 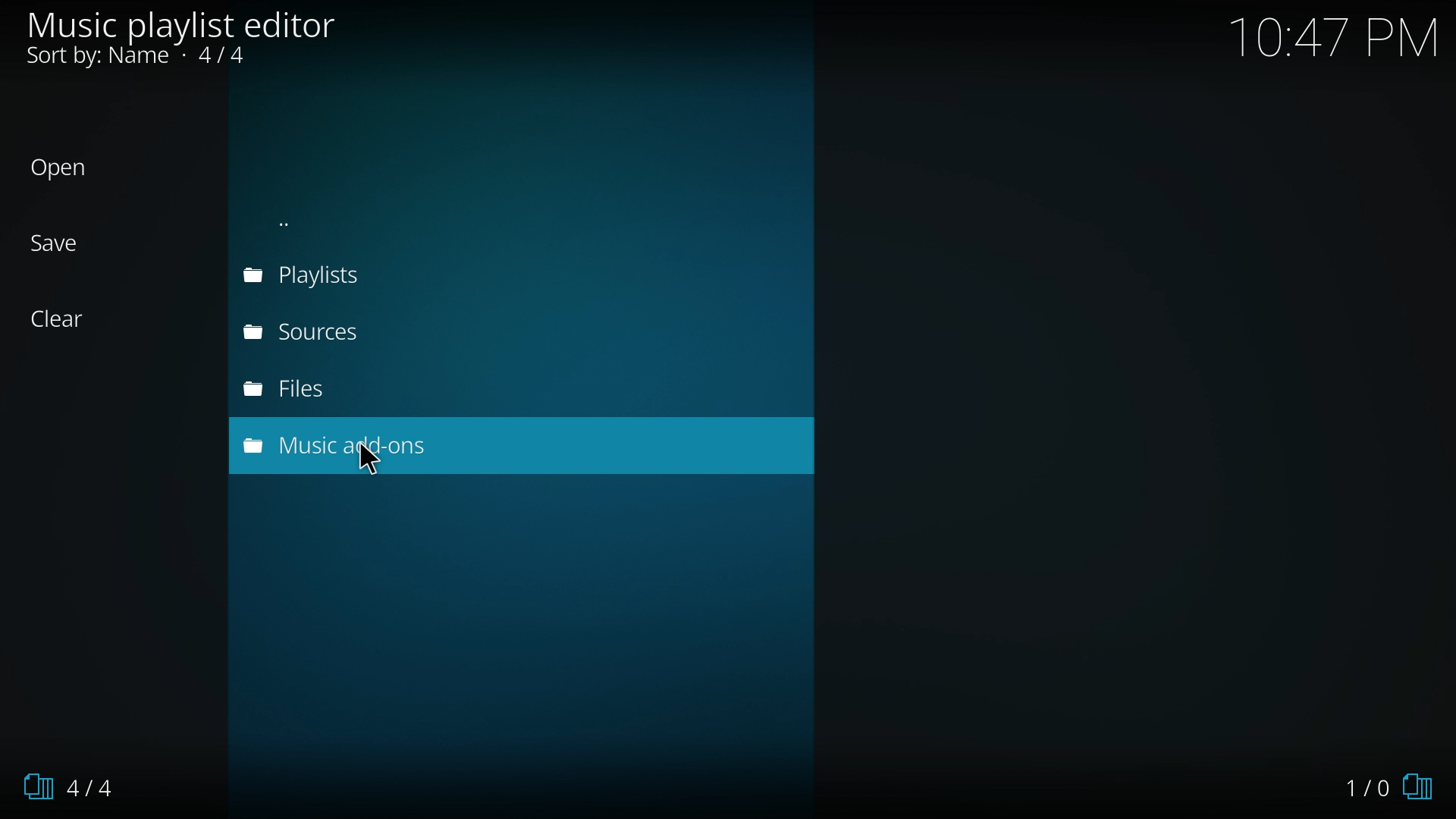 What do you see at coordinates (312, 334) in the screenshot?
I see `sources` at bounding box center [312, 334].